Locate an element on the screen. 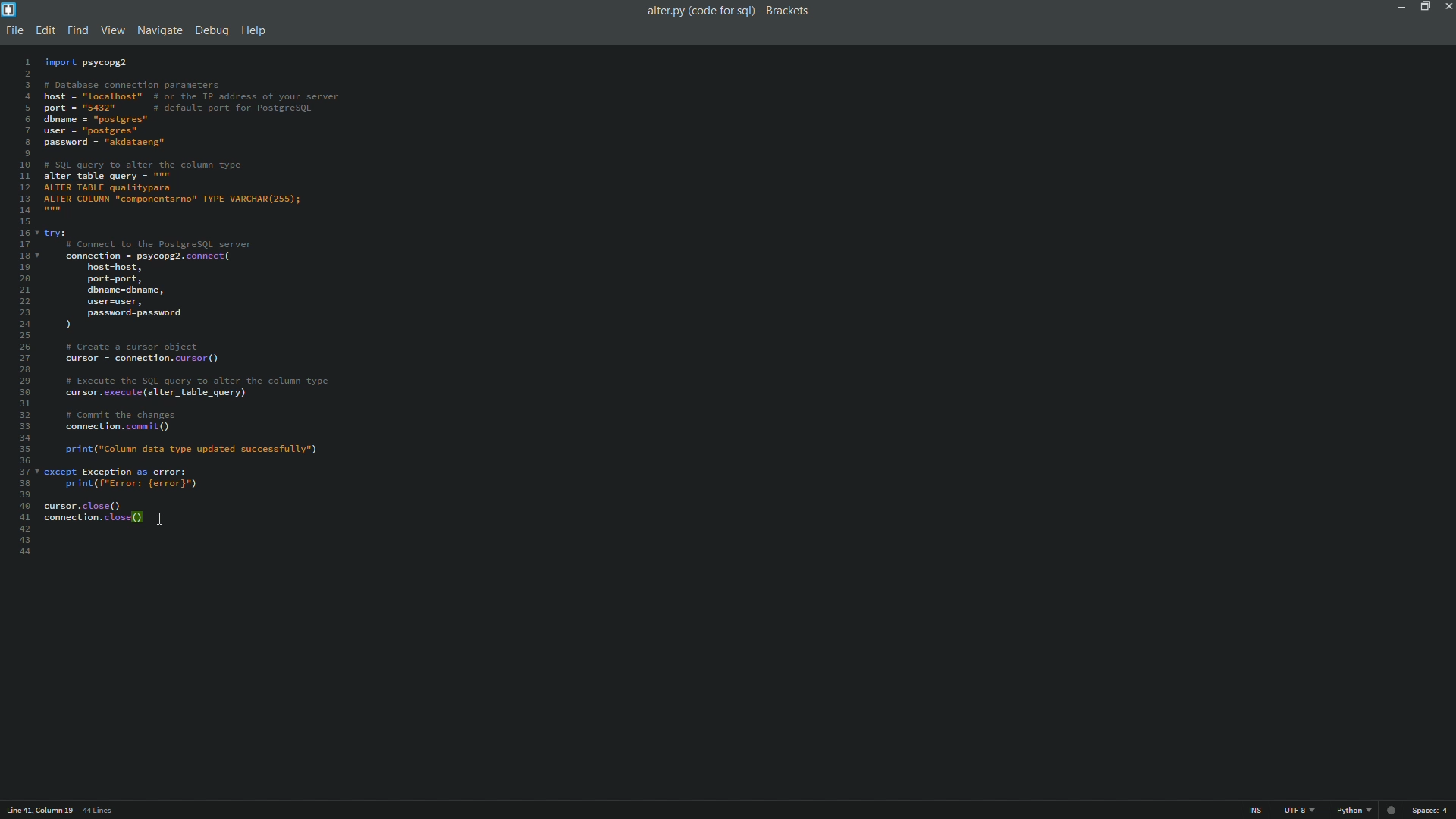 Image resolution: width=1456 pixels, height=819 pixels. cursor is located at coordinates (160, 519).